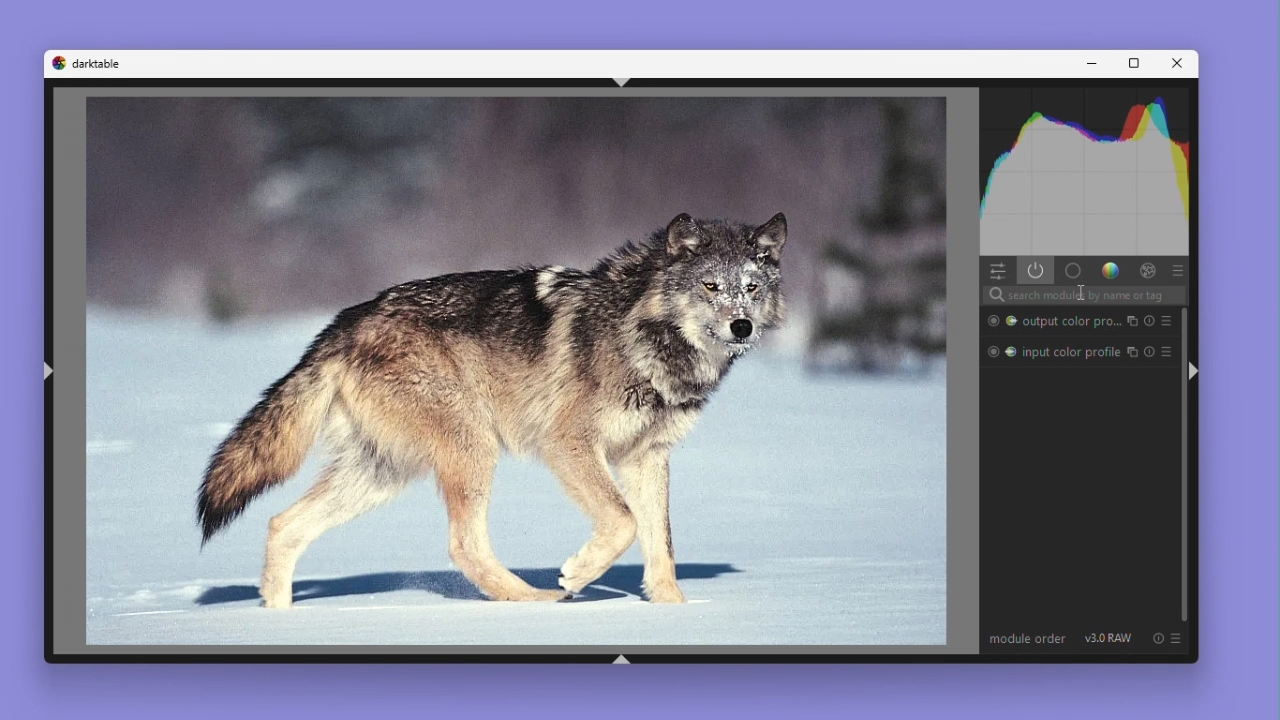 The width and height of the screenshot is (1280, 720). I want to click on Histogram, so click(1083, 172).